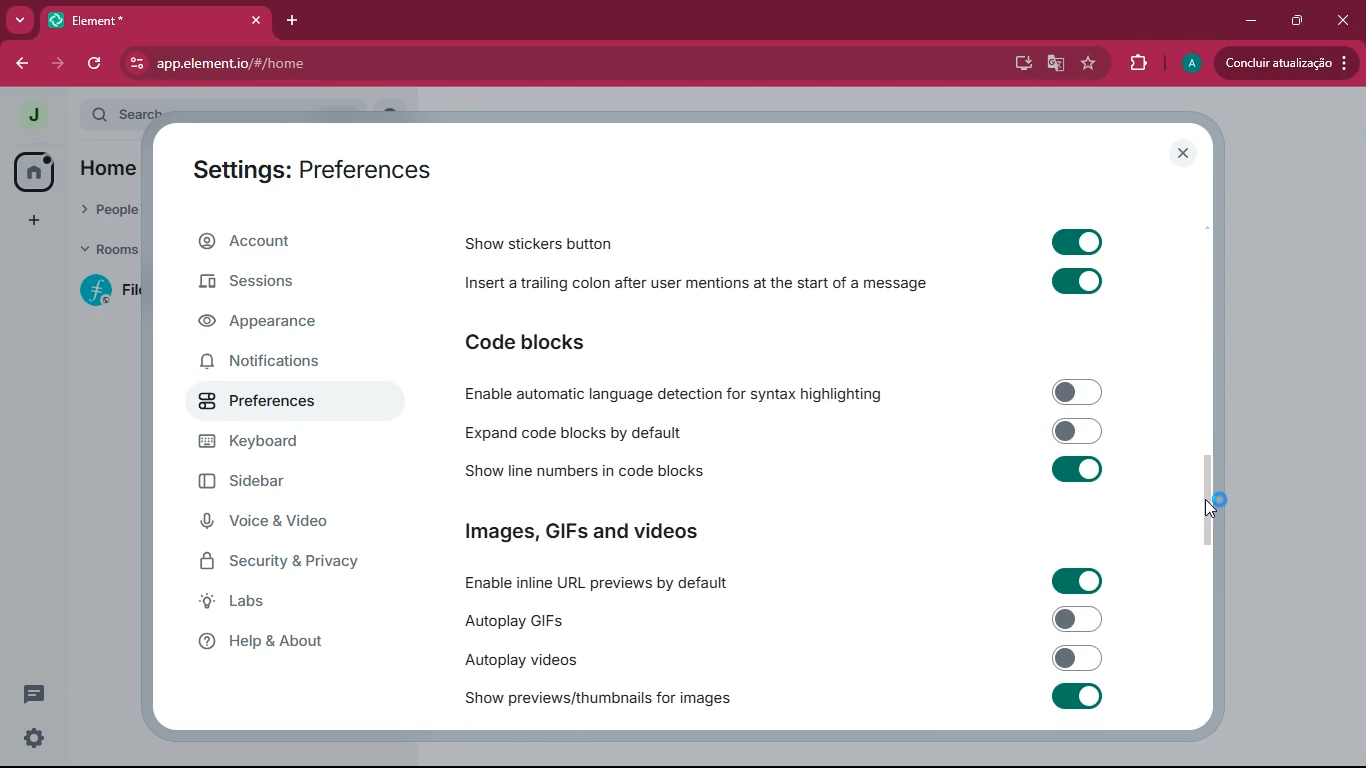 The width and height of the screenshot is (1366, 768). What do you see at coordinates (586, 472) in the screenshot?
I see `Show line numbers in code blocks` at bounding box center [586, 472].